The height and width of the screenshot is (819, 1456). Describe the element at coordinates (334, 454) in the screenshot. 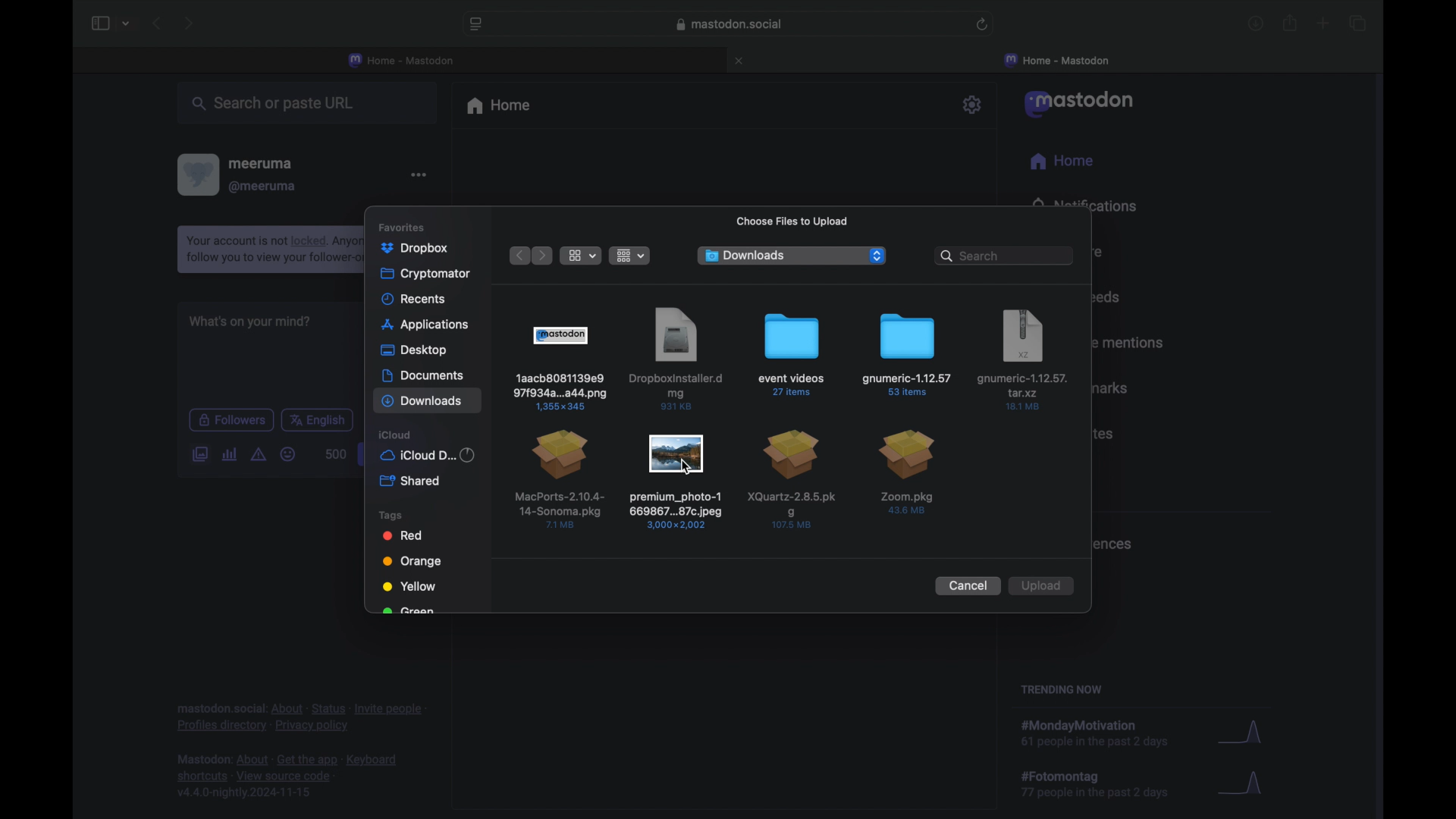

I see `word  count` at that location.